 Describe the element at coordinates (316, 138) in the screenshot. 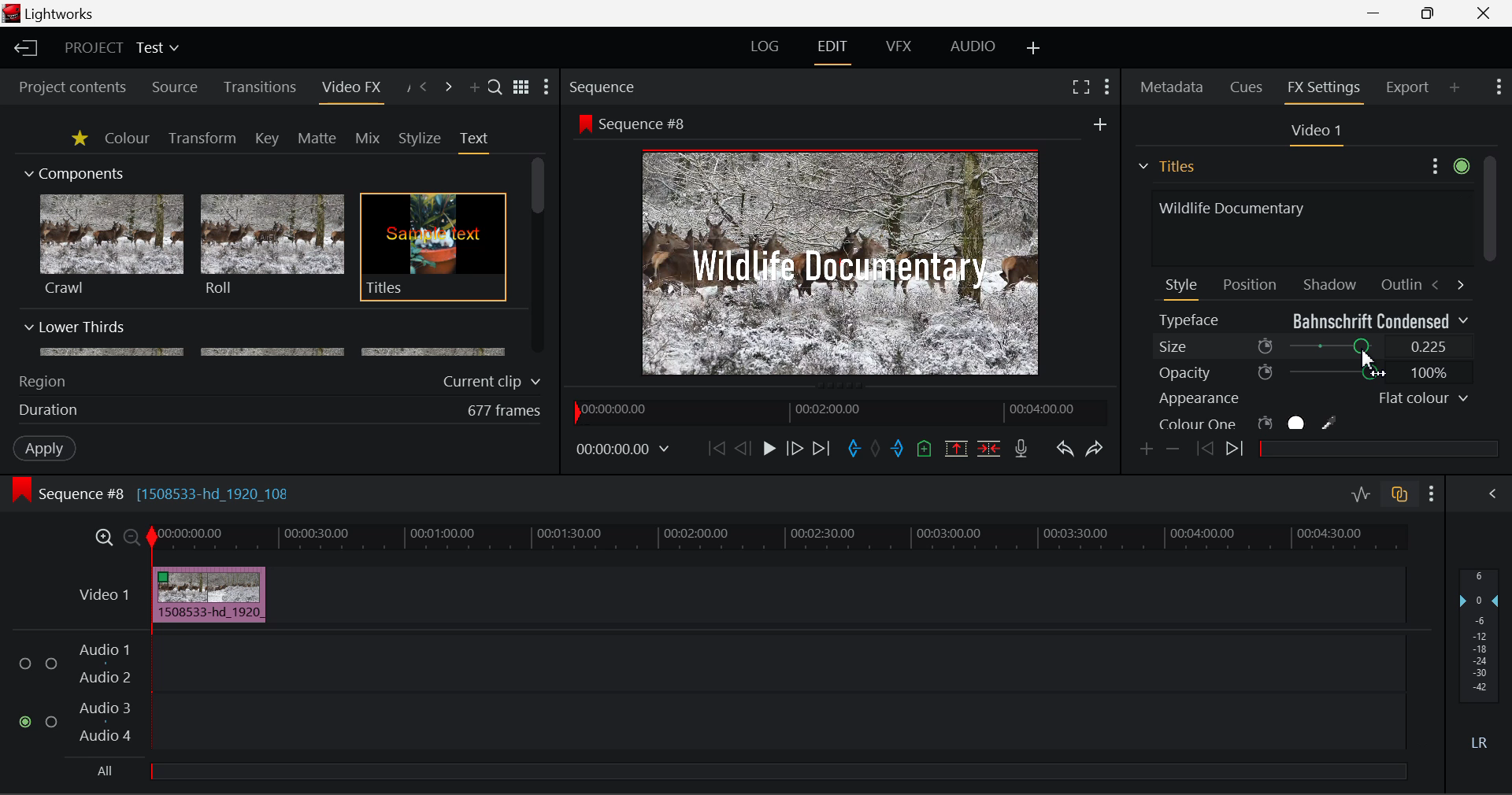

I see `Matte` at that location.